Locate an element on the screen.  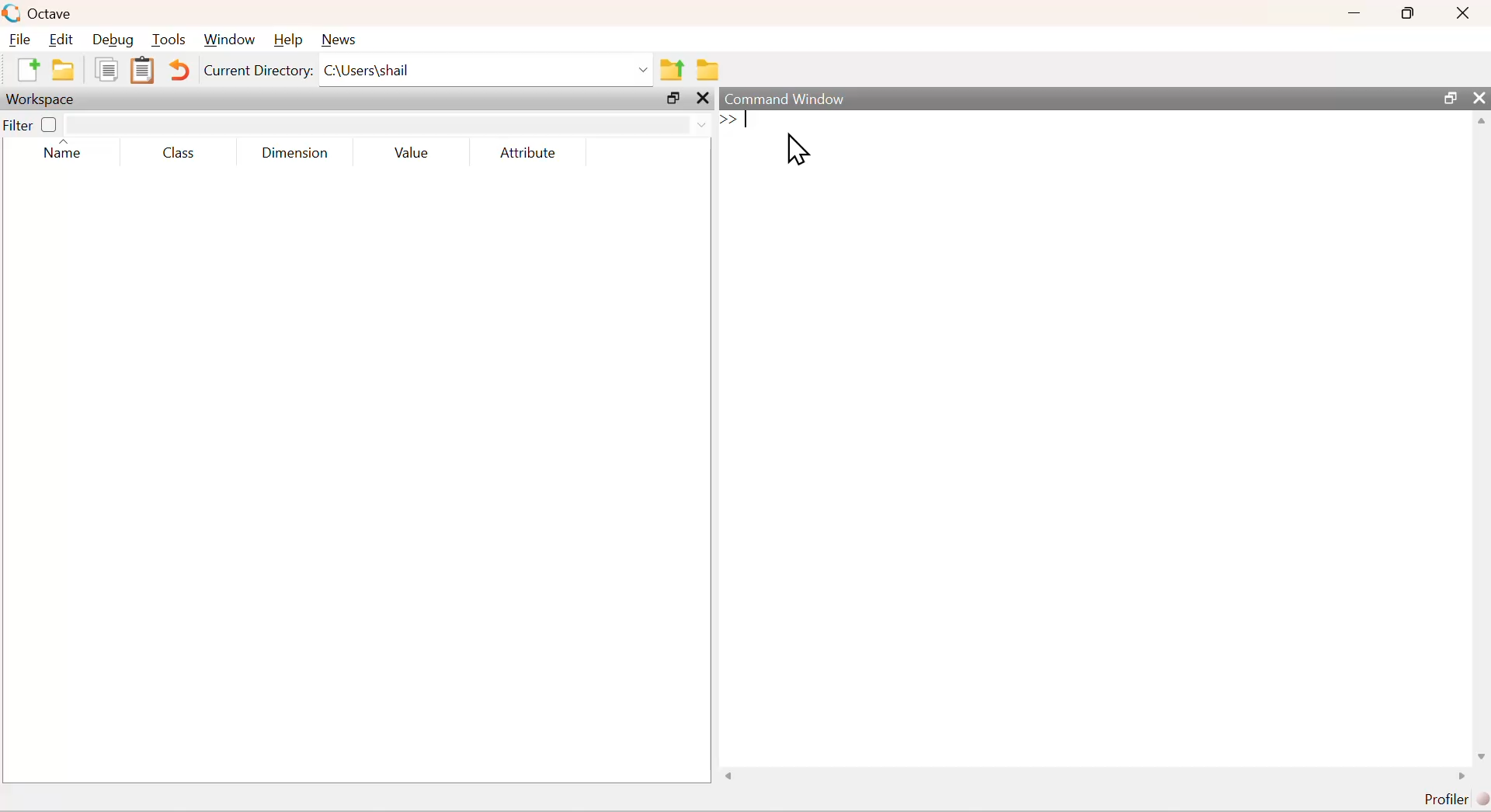
Maximize is located at coordinates (671, 98).